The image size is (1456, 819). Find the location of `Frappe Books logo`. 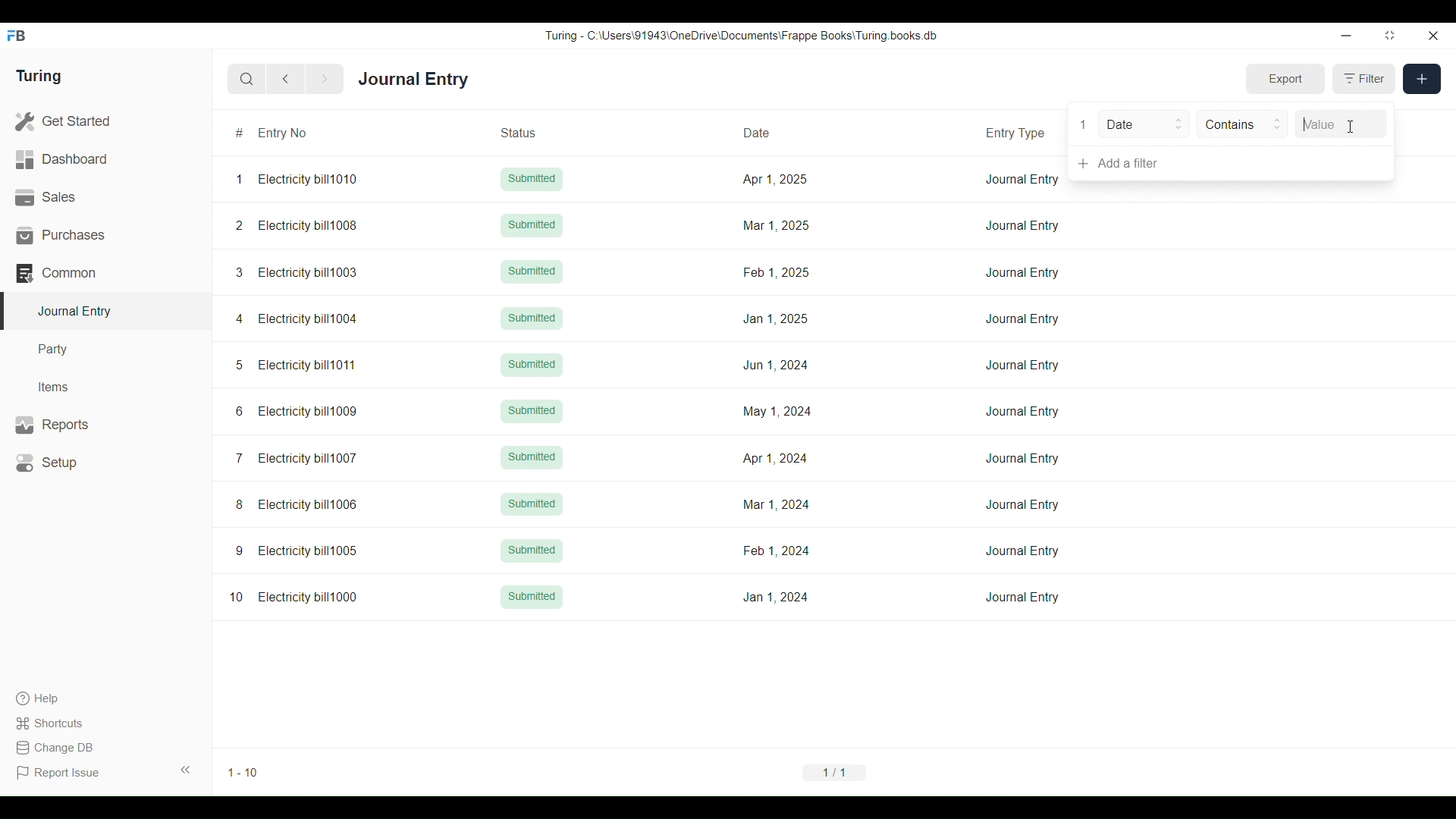

Frappe Books logo is located at coordinates (15, 36).